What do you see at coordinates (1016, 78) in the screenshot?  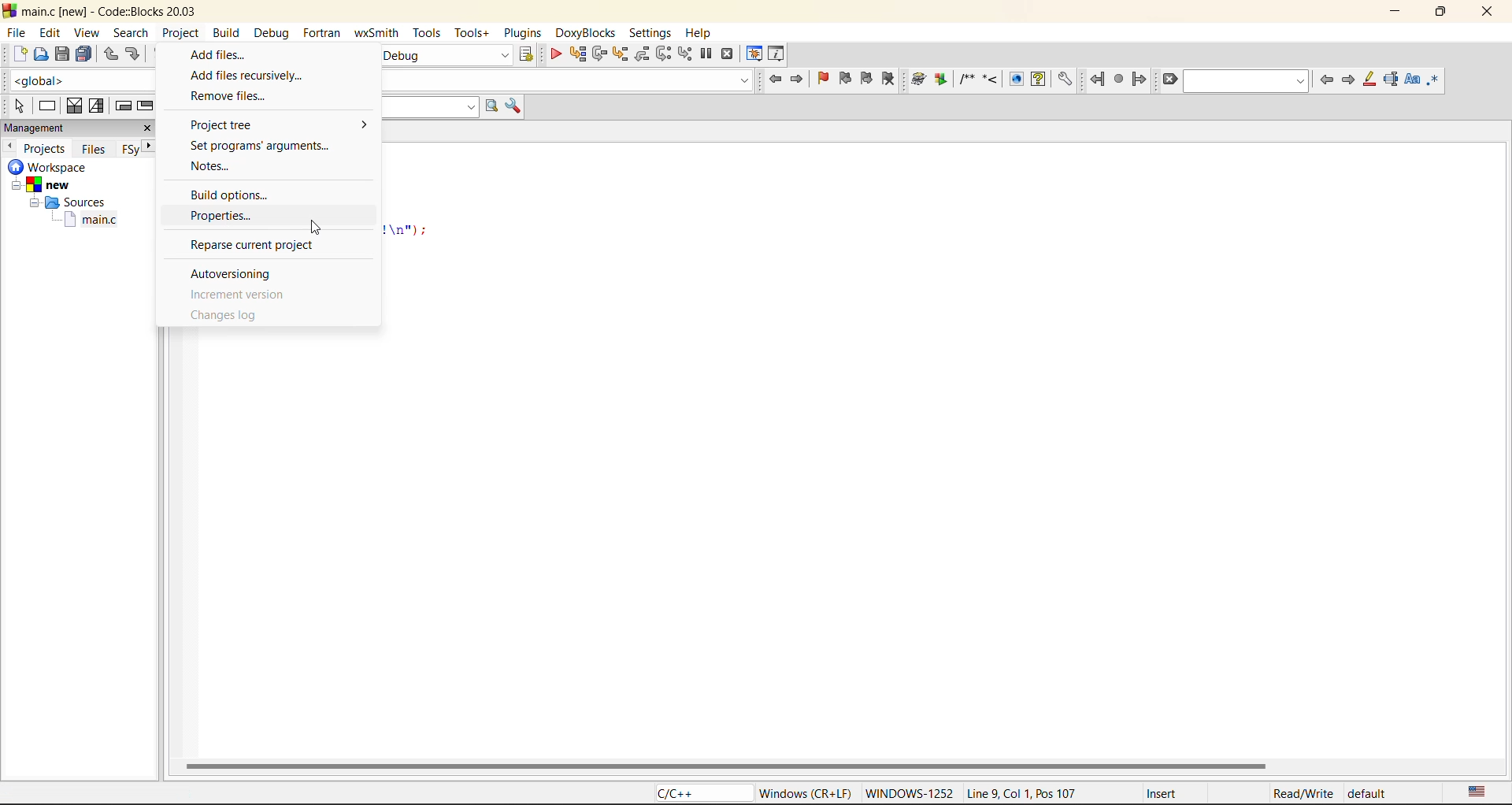 I see `Run HTML Documentation` at bounding box center [1016, 78].